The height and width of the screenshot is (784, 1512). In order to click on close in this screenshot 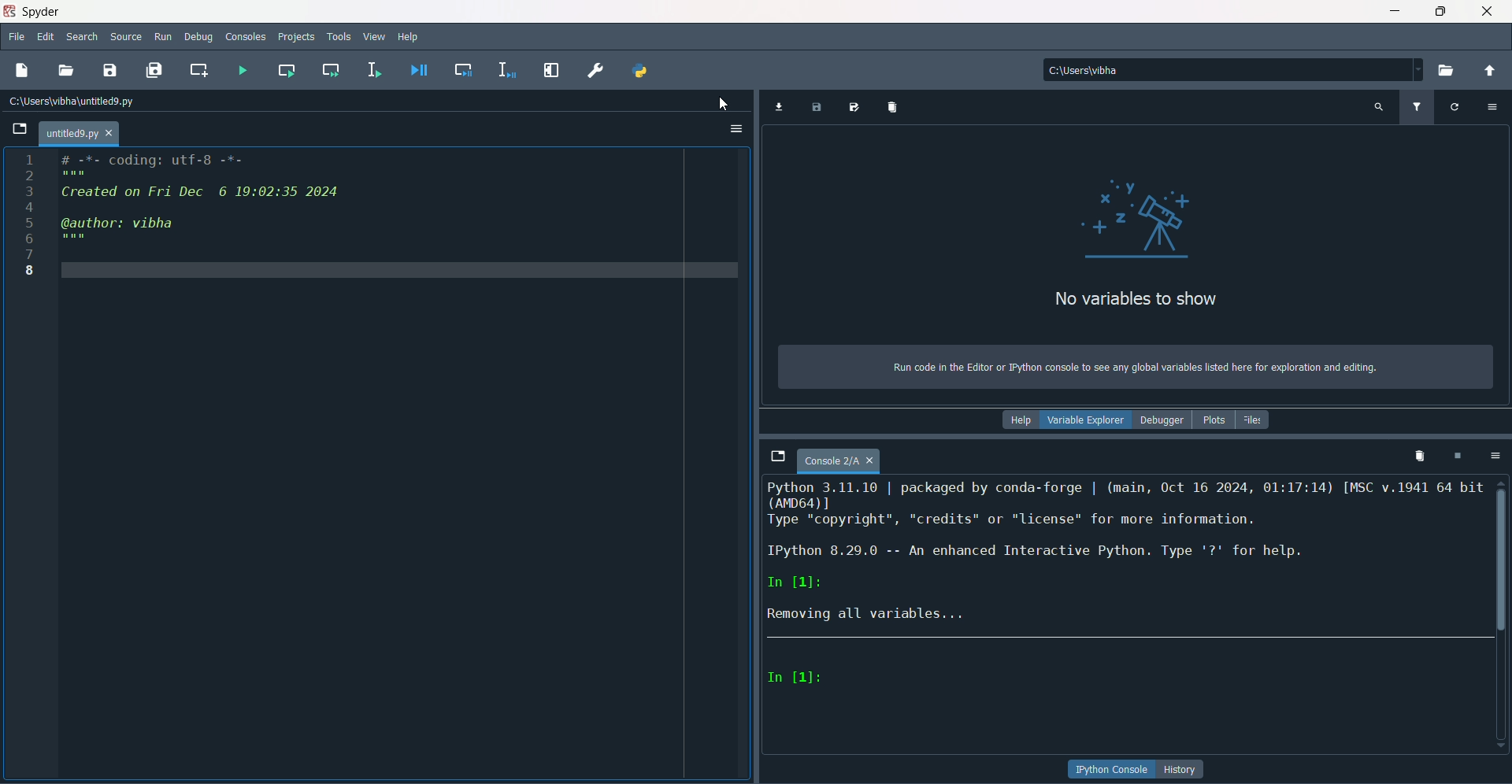, I will do `click(1488, 11)`.